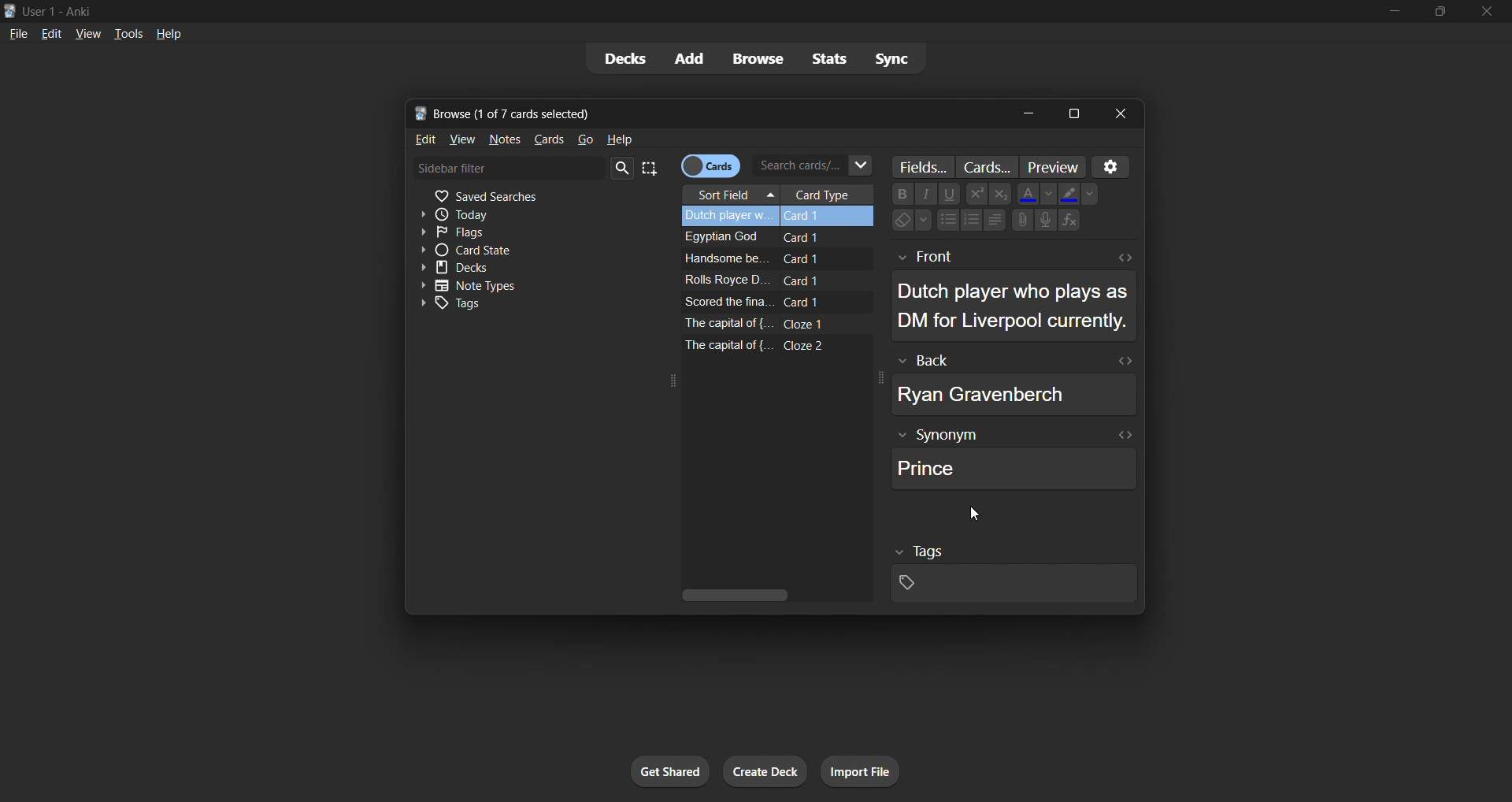 This screenshot has height=802, width=1512. Describe the element at coordinates (1027, 113) in the screenshot. I see `minimize` at that location.